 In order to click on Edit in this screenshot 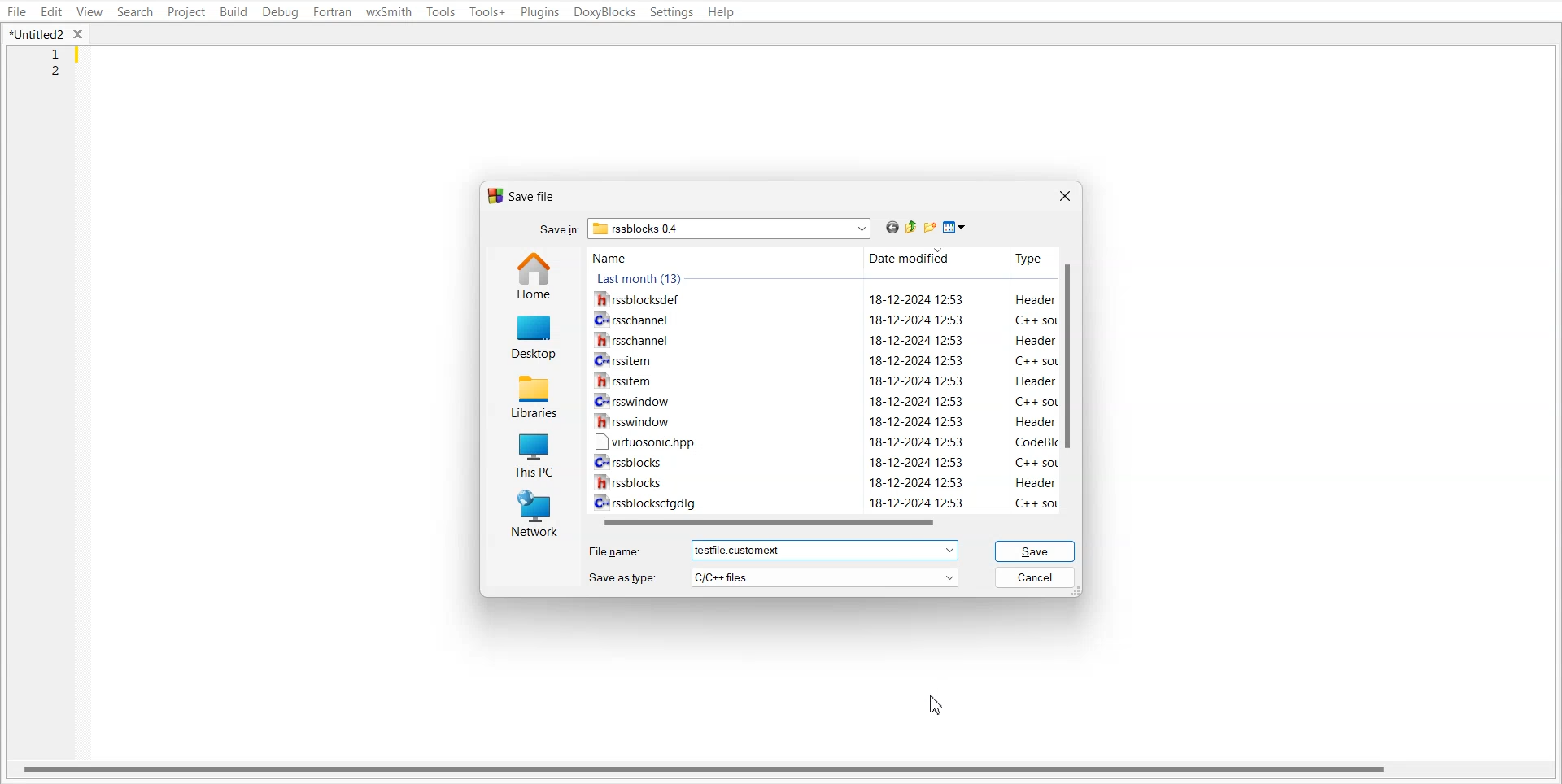, I will do `click(52, 11)`.